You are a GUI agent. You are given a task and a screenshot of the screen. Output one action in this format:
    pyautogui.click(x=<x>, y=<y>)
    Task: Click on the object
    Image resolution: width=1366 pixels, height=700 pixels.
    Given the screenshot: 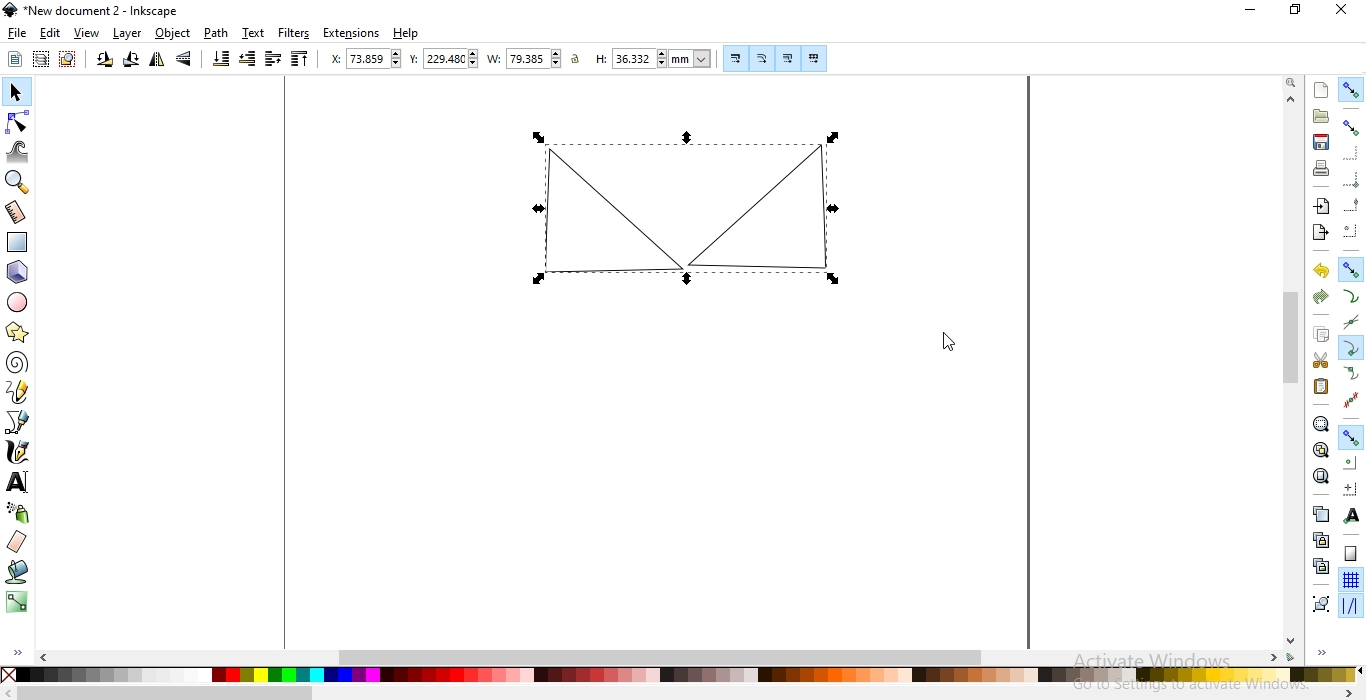 What is the action you would take?
    pyautogui.click(x=172, y=34)
    